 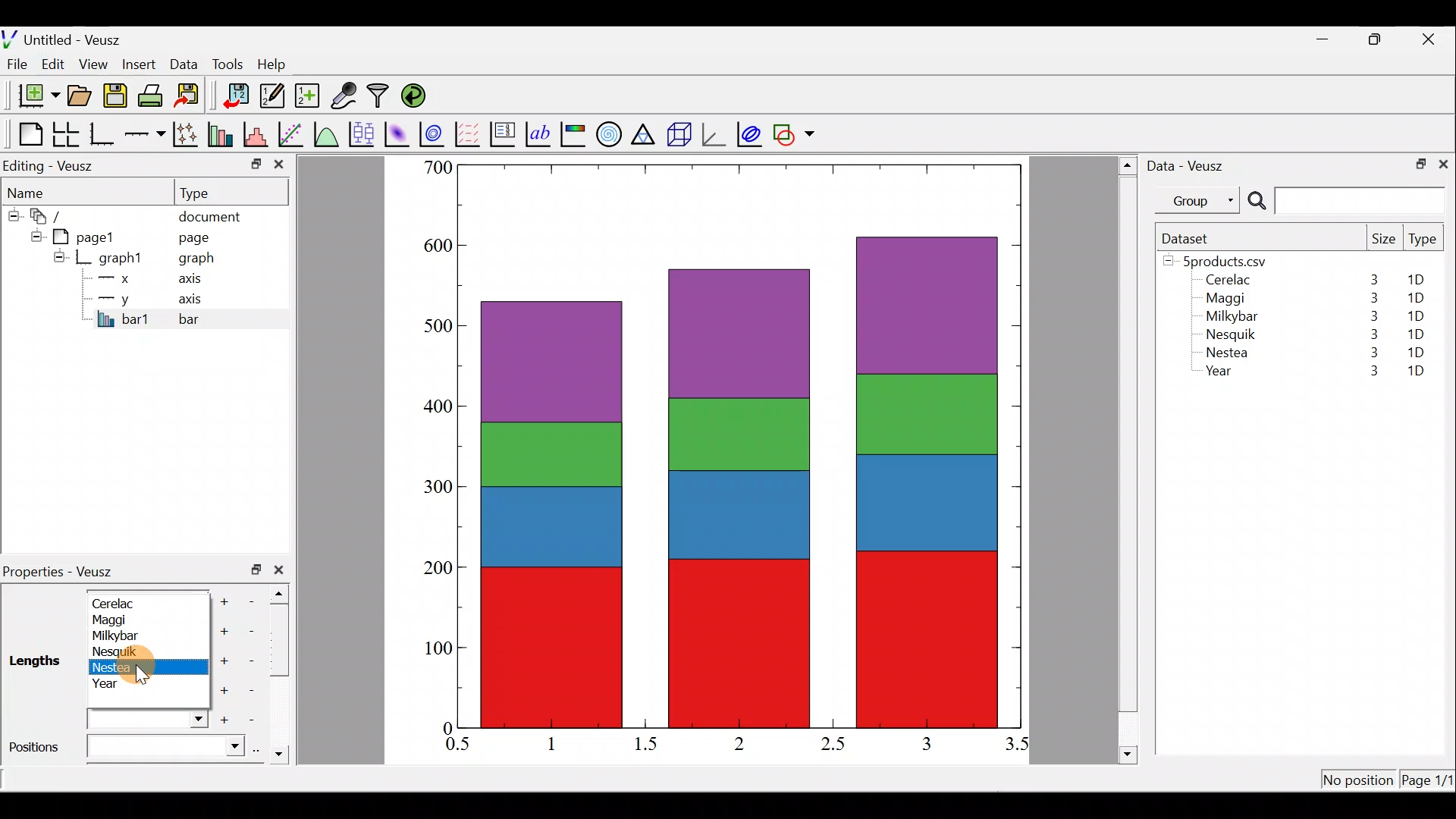 What do you see at coordinates (438, 569) in the screenshot?
I see `200` at bounding box center [438, 569].